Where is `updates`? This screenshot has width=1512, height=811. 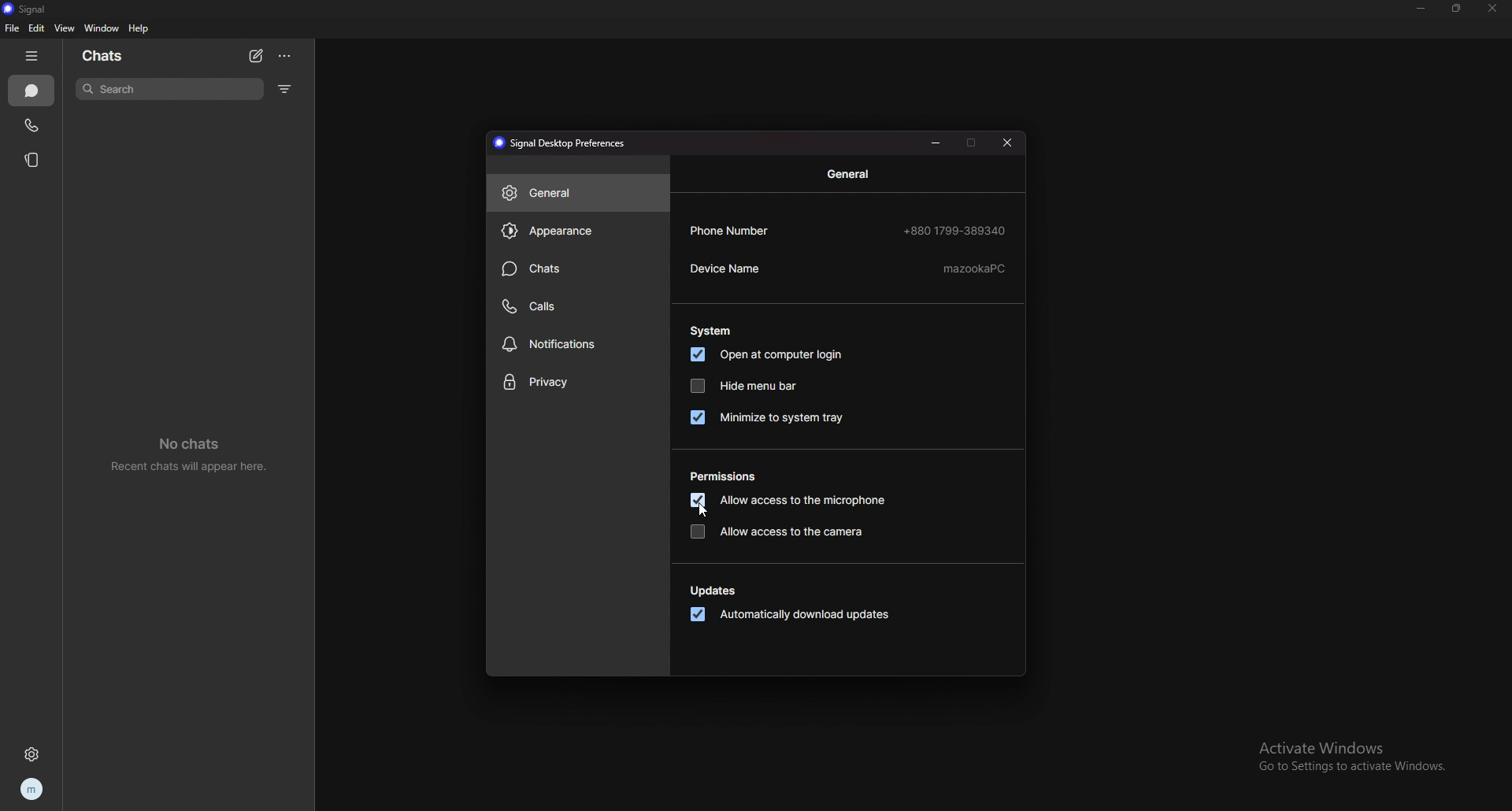
updates is located at coordinates (713, 591).